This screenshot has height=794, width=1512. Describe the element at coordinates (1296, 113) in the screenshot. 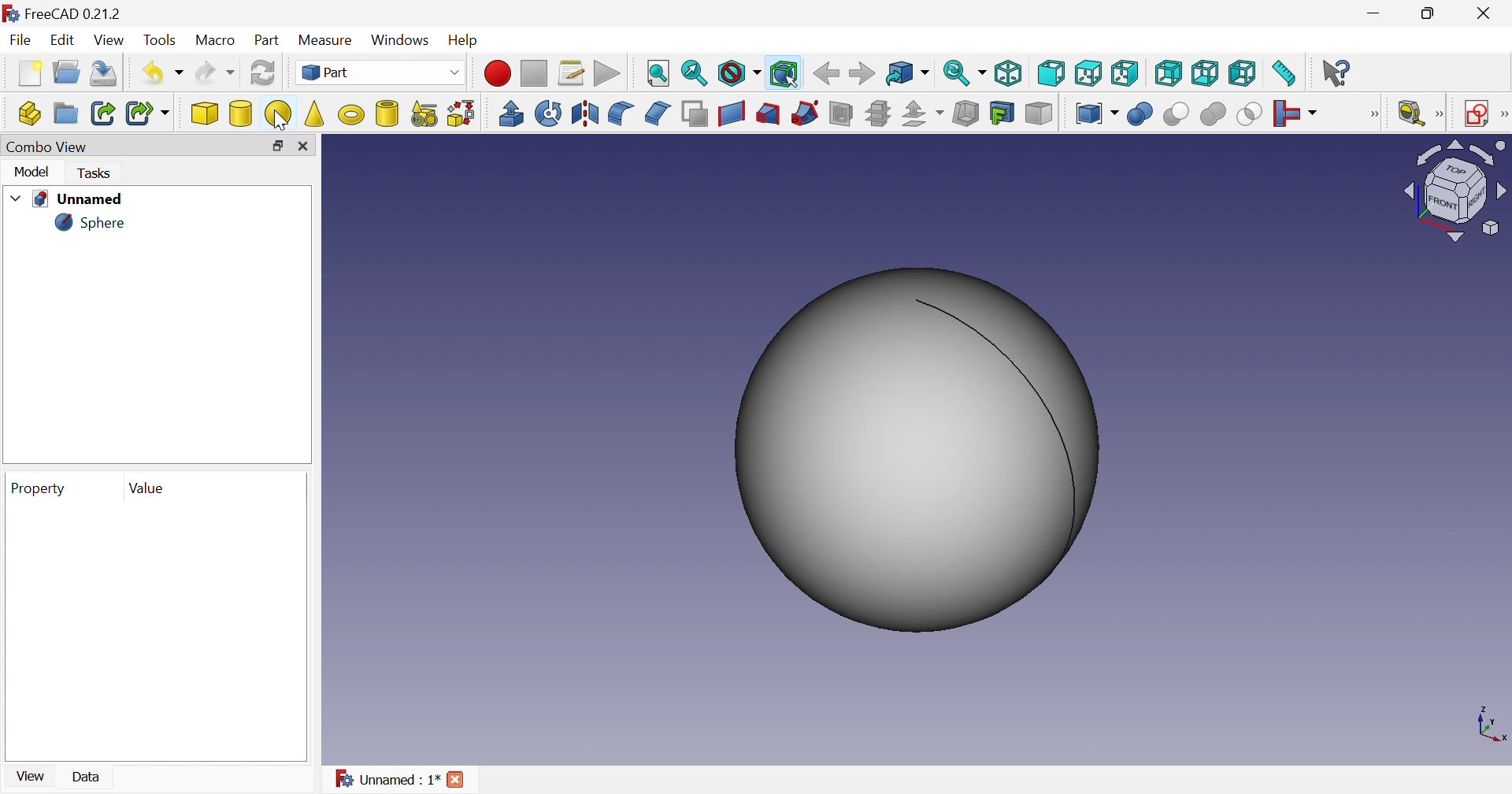

I see `Join objects...` at that location.